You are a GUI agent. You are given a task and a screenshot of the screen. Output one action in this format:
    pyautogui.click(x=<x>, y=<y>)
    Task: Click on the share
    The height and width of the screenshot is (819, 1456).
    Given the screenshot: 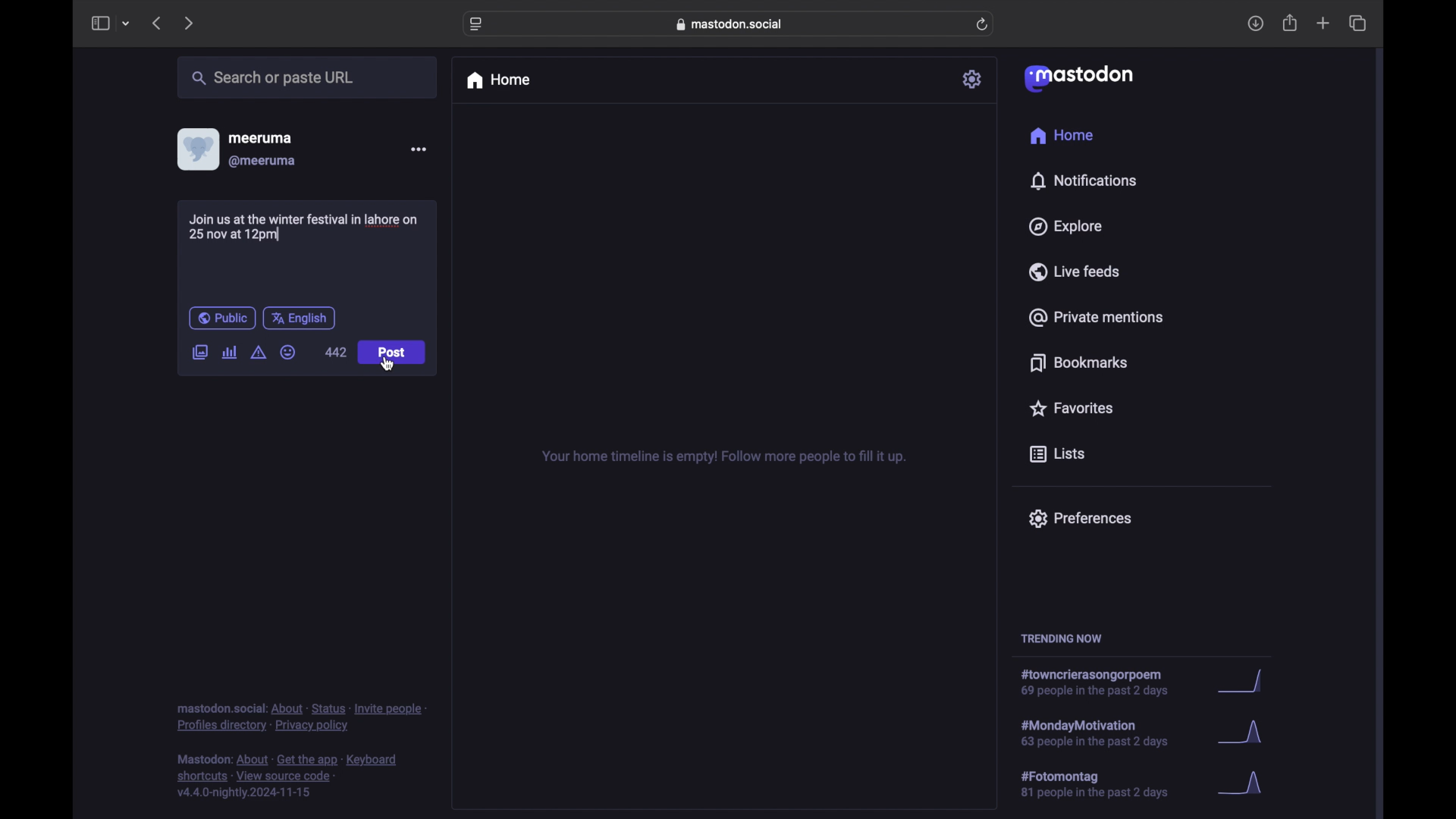 What is the action you would take?
    pyautogui.click(x=1291, y=24)
    